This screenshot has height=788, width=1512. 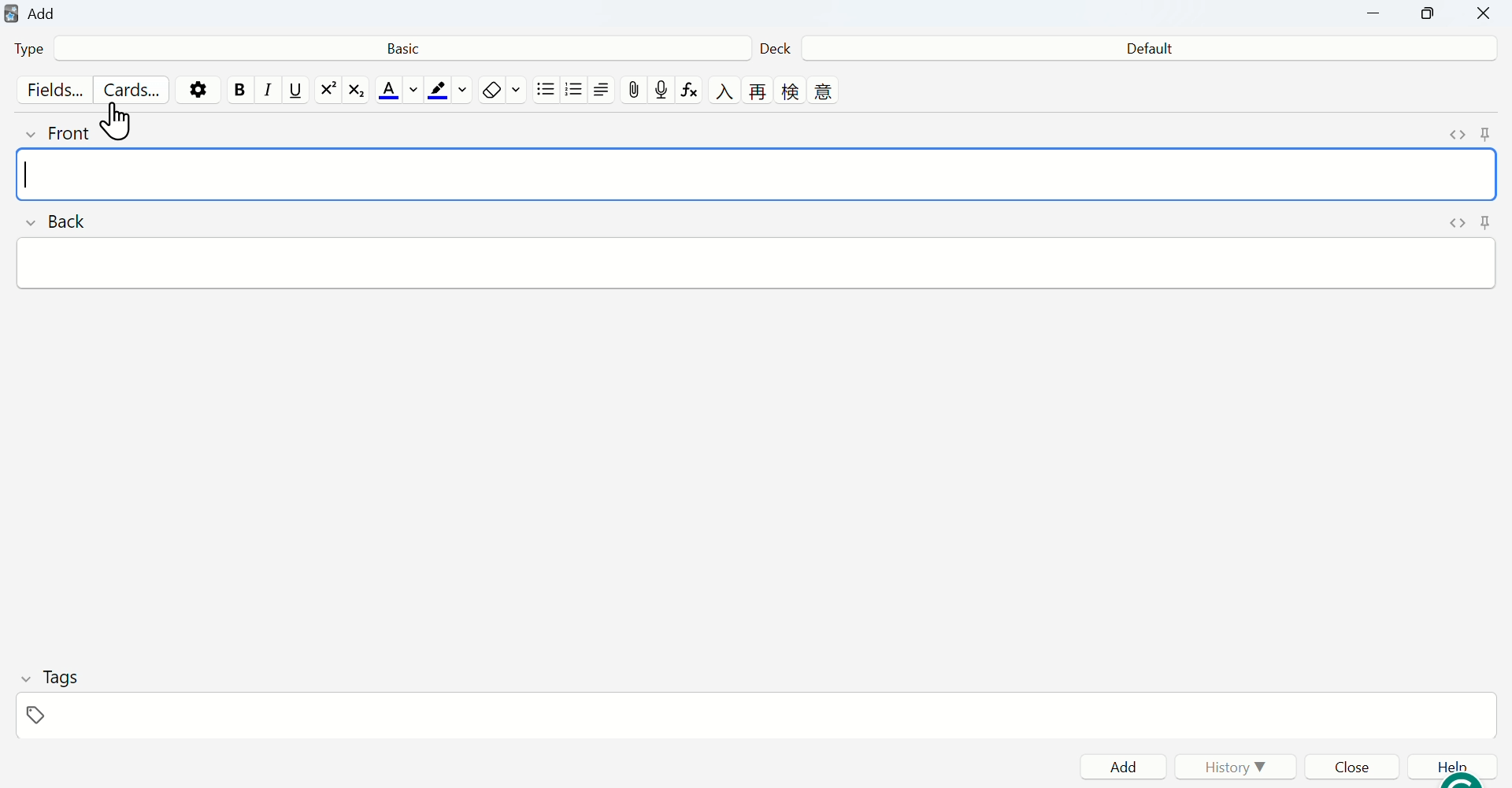 What do you see at coordinates (58, 135) in the screenshot?
I see `front` at bounding box center [58, 135].